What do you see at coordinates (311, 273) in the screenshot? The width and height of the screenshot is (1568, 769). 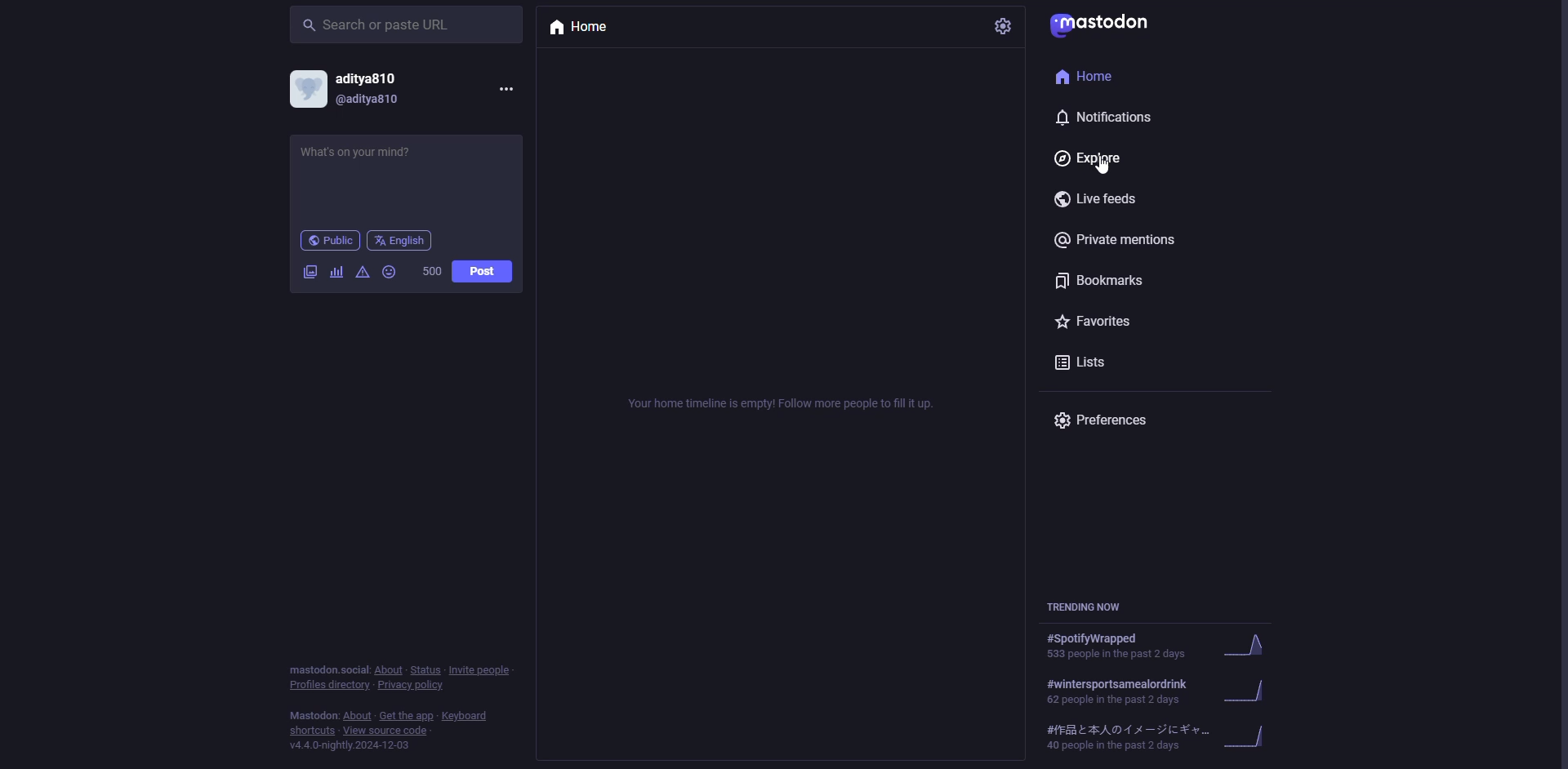 I see `image` at bounding box center [311, 273].